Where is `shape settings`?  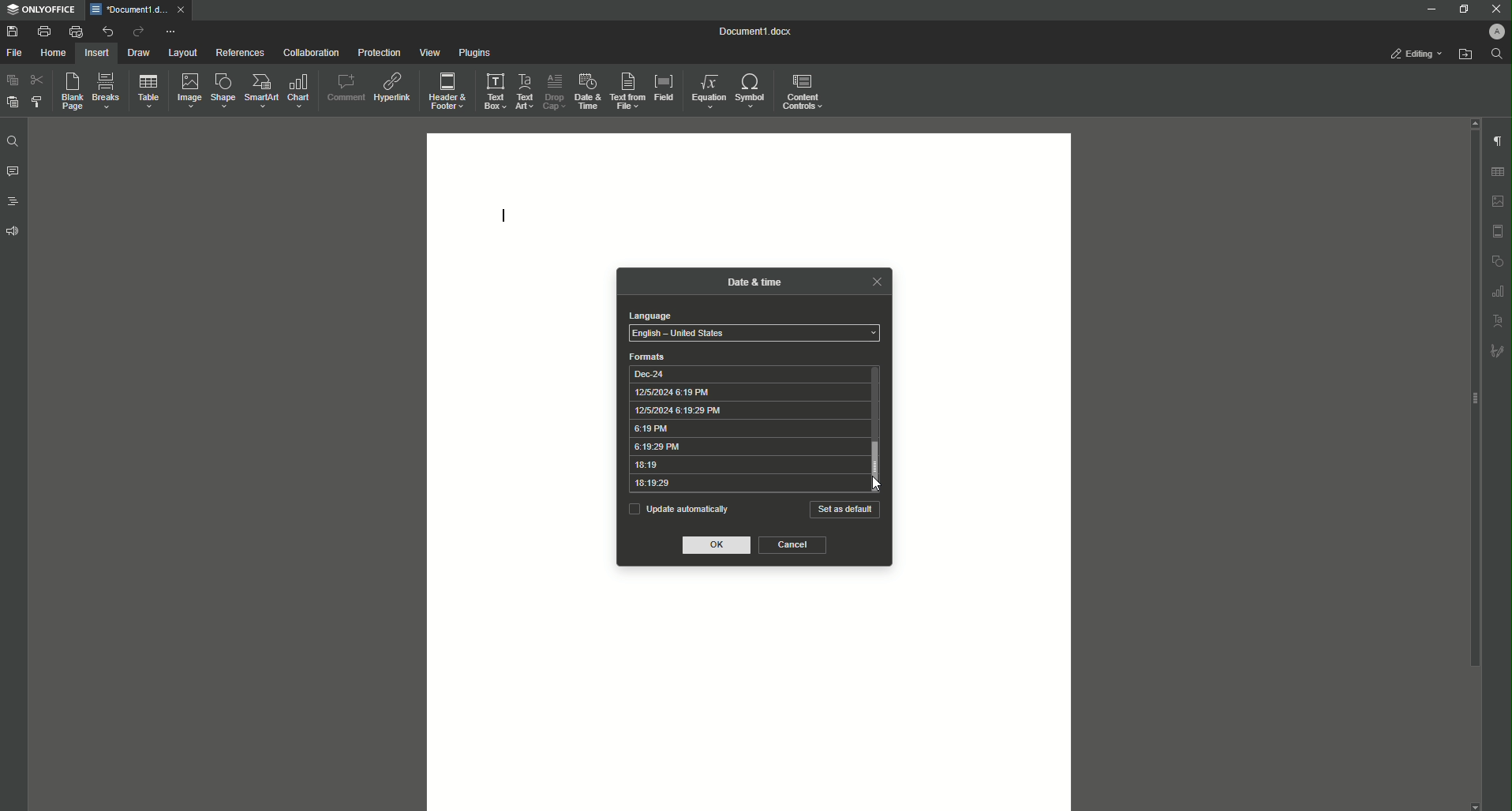
shape settings is located at coordinates (1497, 260).